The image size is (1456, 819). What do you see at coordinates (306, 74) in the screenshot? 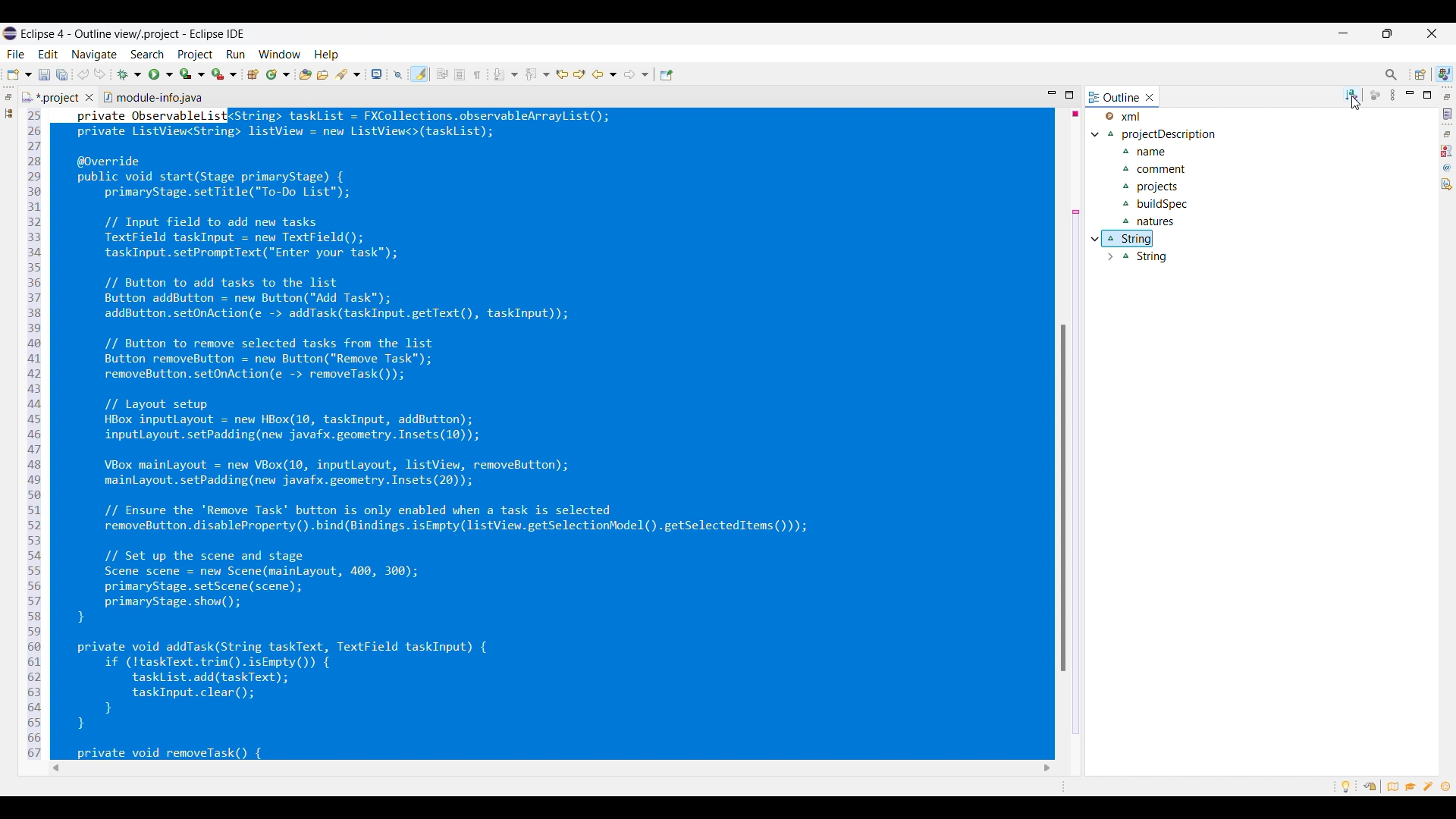
I see `Open type` at bounding box center [306, 74].